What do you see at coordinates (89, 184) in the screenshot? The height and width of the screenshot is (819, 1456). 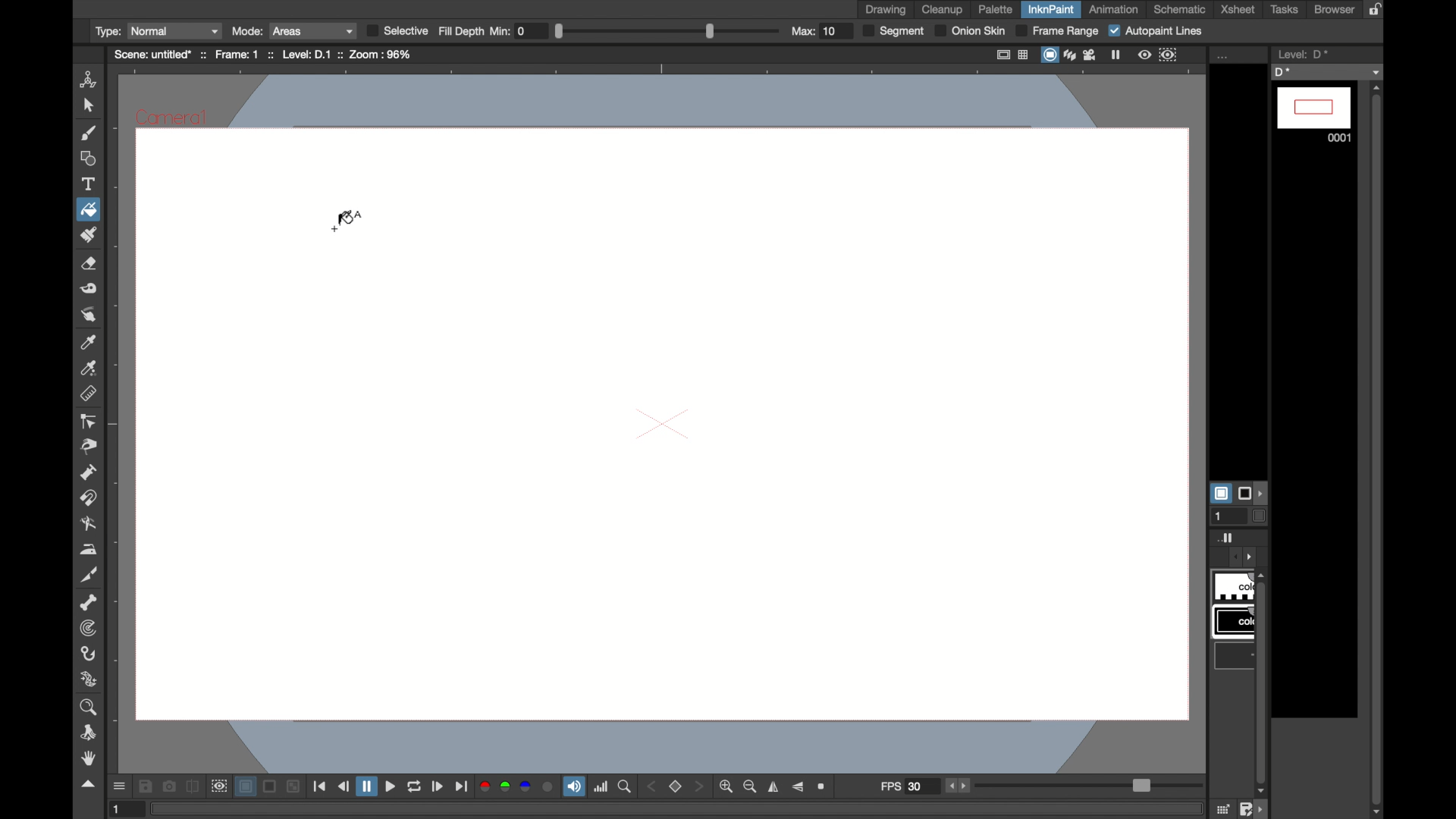 I see `type tool` at bounding box center [89, 184].